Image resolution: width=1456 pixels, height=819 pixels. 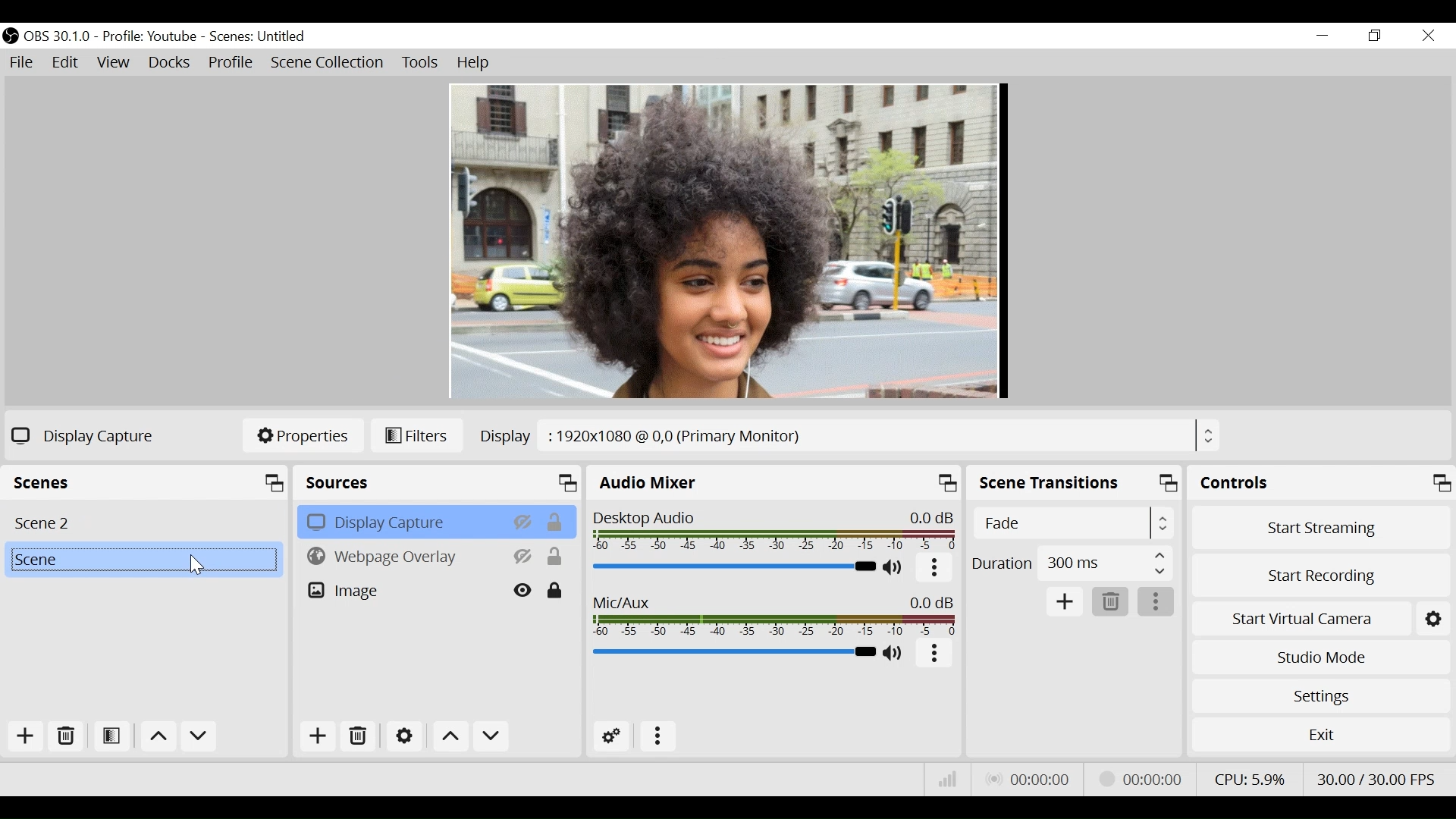 What do you see at coordinates (475, 64) in the screenshot?
I see `Help` at bounding box center [475, 64].